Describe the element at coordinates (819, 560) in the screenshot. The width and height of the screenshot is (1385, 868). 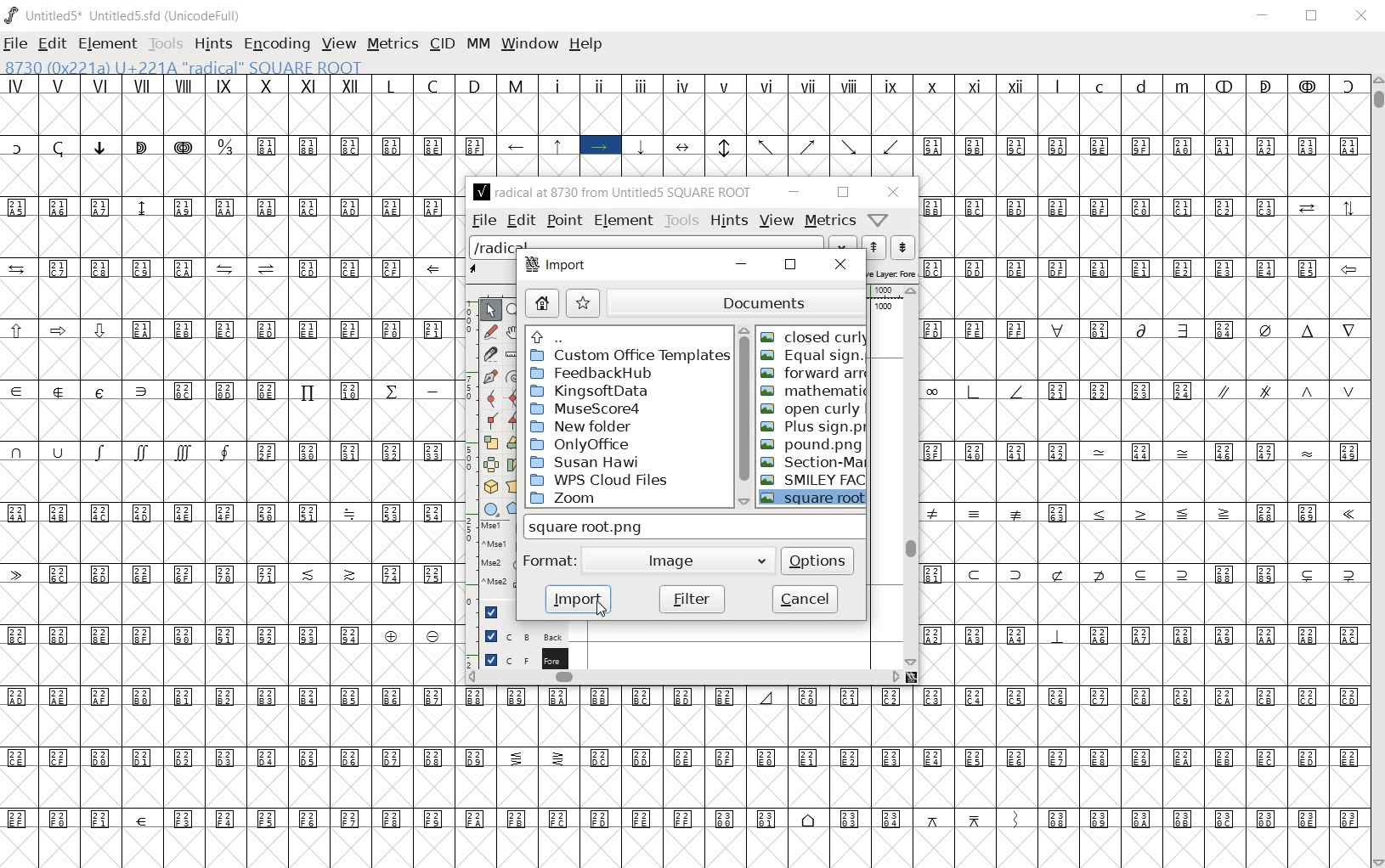
I see `options` at that location.